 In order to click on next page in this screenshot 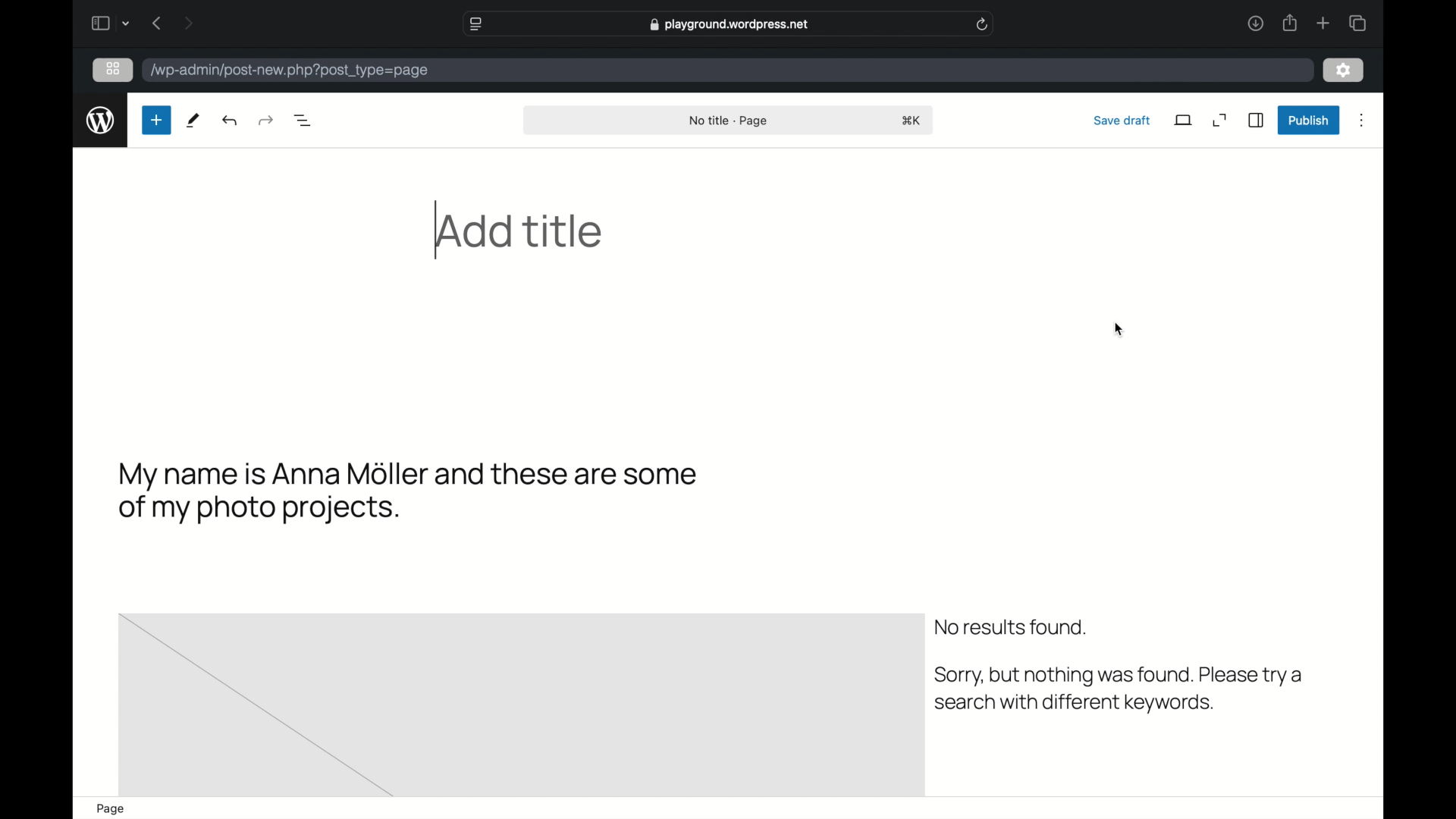, I will do `click(190, 22)`.